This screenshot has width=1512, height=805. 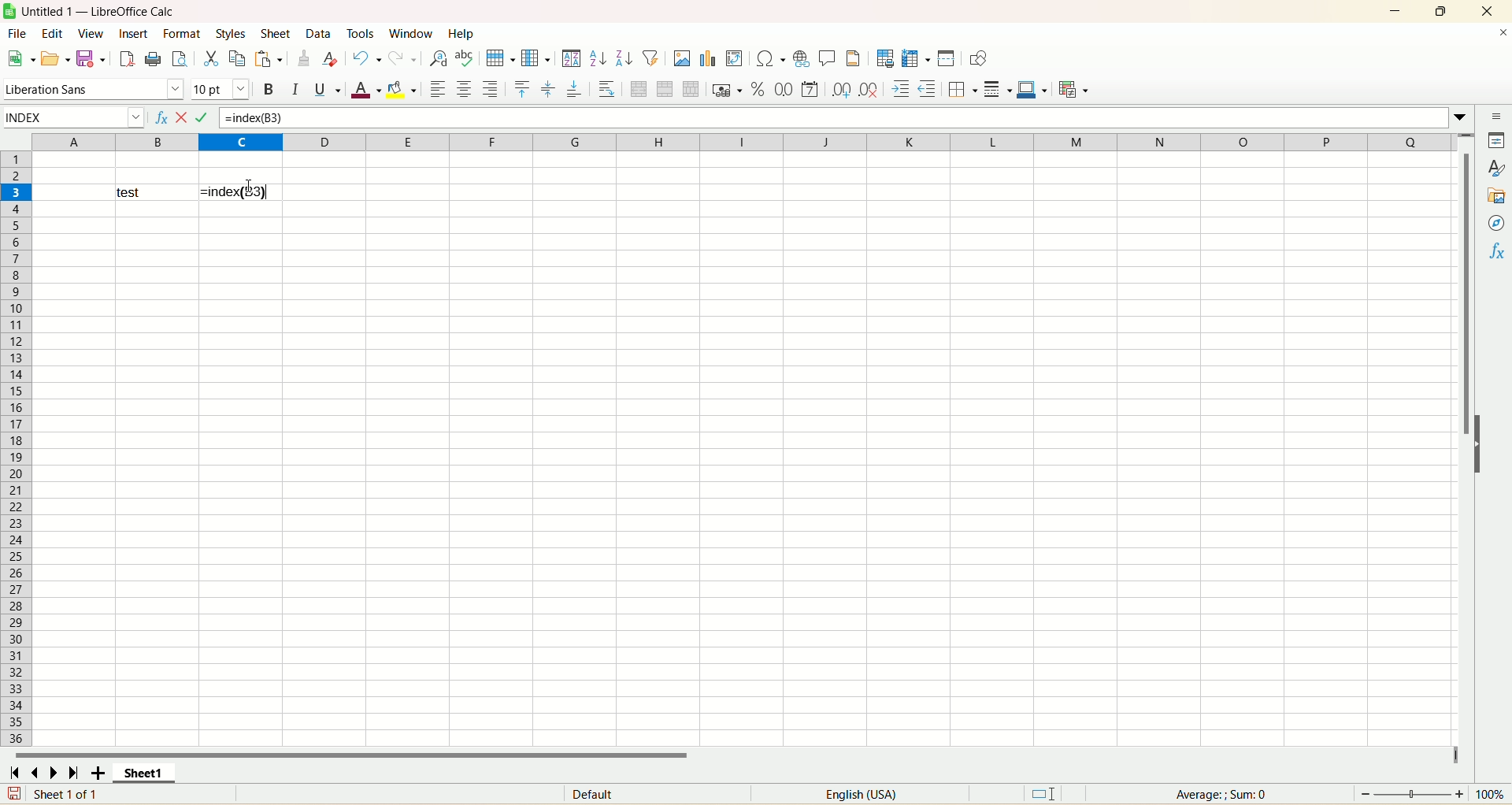 I want to click on test, so click(x=156, y=192).